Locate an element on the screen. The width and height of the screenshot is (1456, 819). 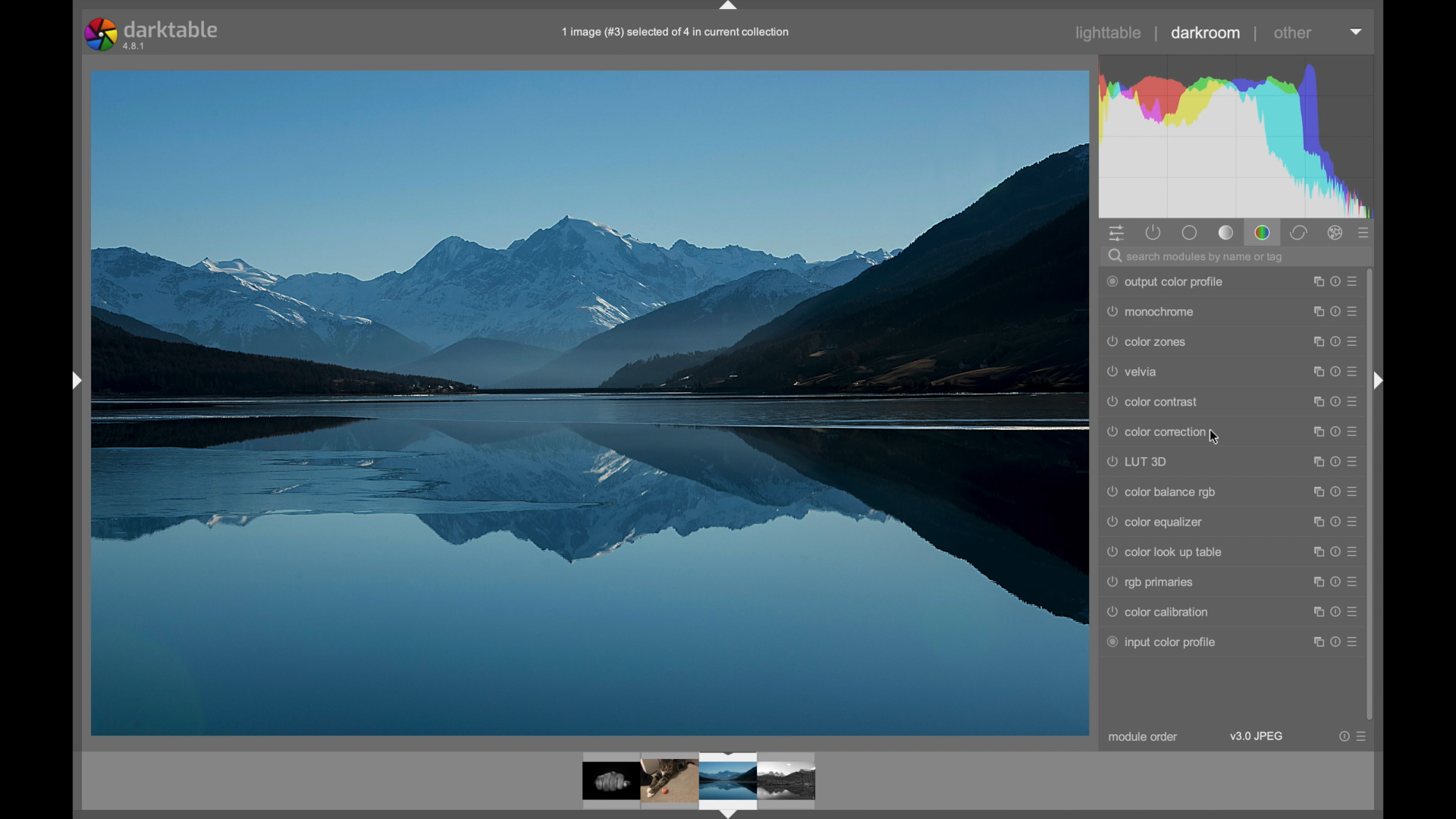
lut 3d is located at coordinates (1137, 462).